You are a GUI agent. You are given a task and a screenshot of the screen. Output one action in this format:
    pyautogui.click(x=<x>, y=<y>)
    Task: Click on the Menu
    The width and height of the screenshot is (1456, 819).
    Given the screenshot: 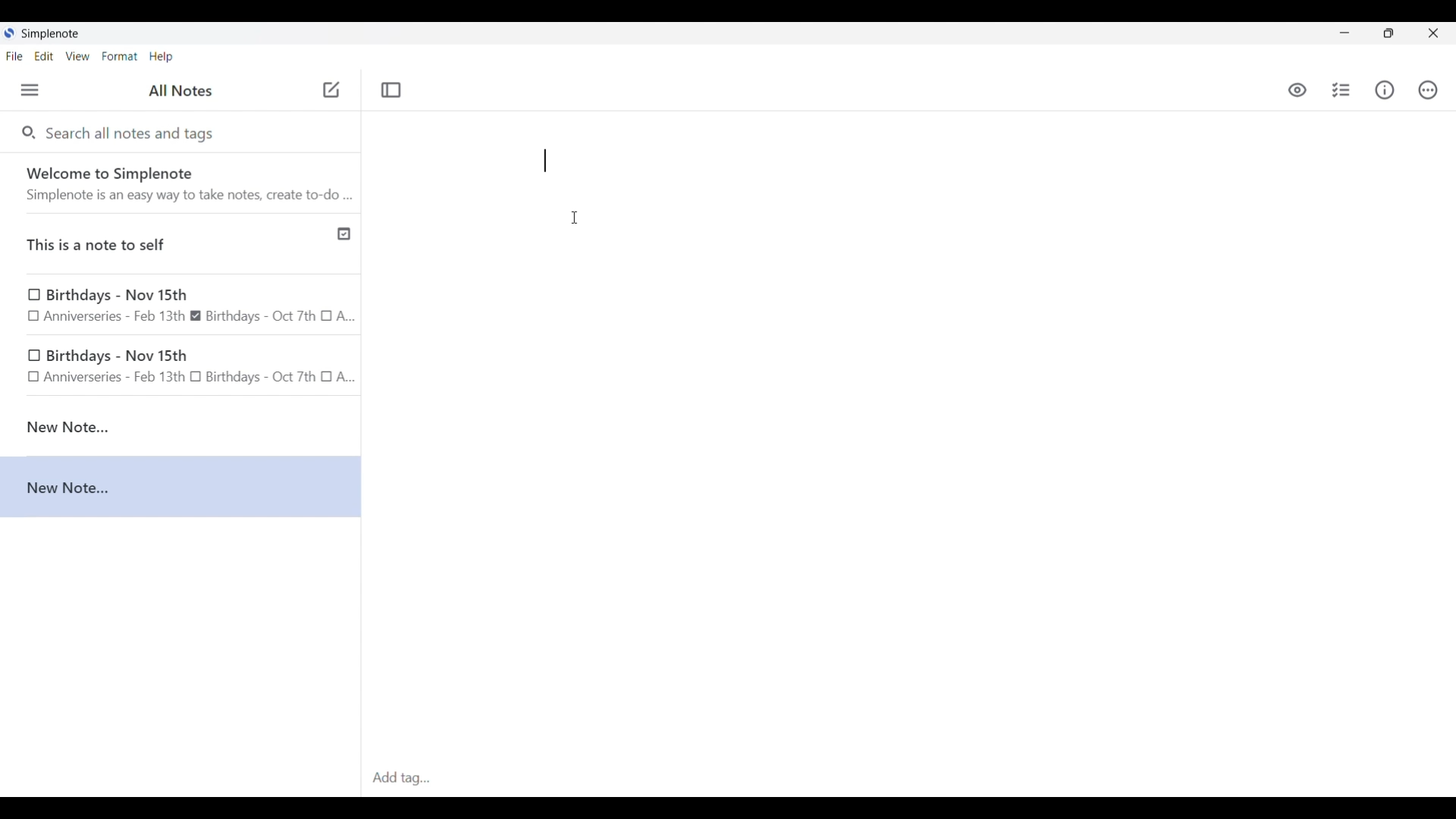 What is the action you would take?
    pyautogui.click(x=30, y=89)
    